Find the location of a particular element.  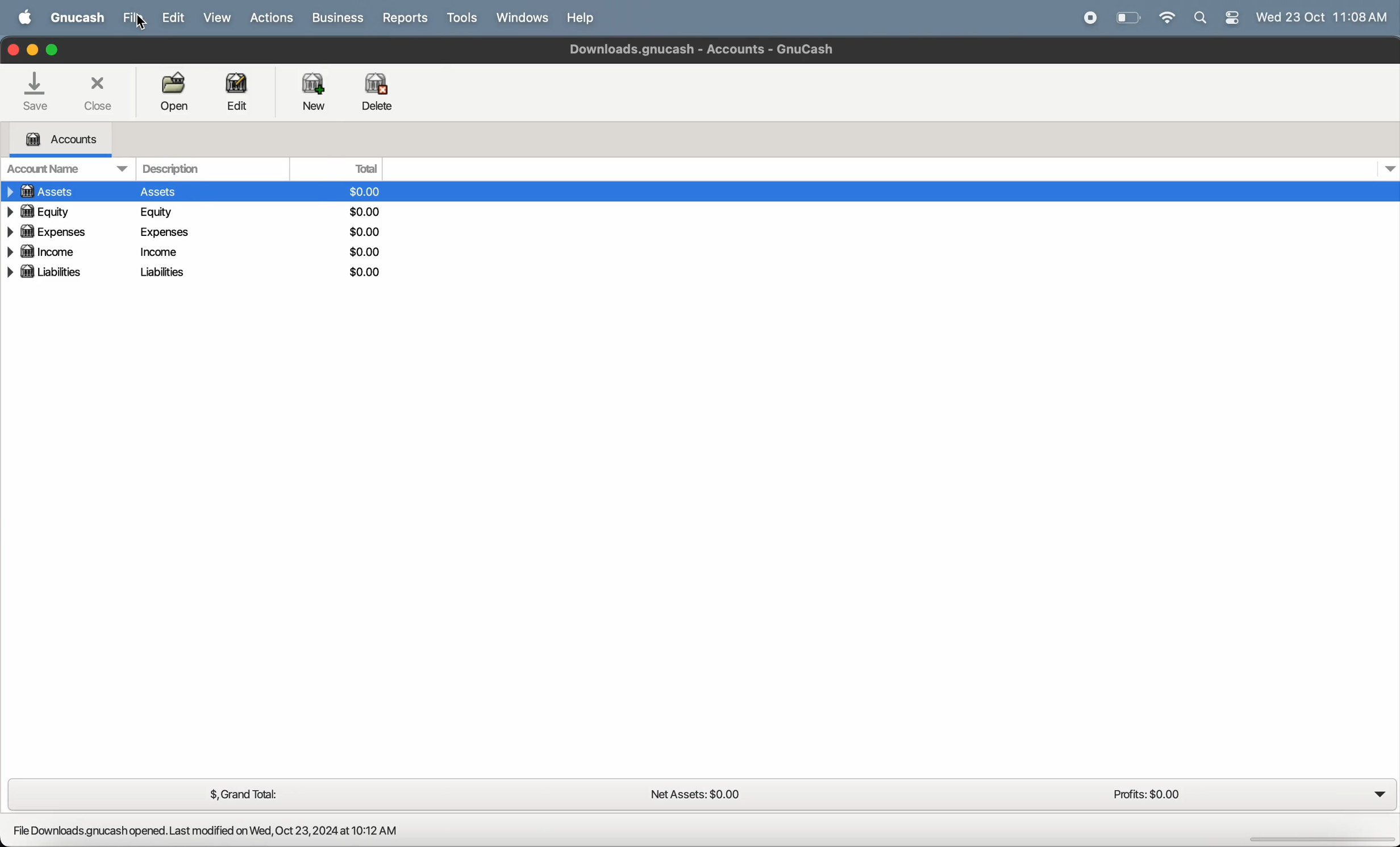

dropdown is located at coordinates (1388, 167).